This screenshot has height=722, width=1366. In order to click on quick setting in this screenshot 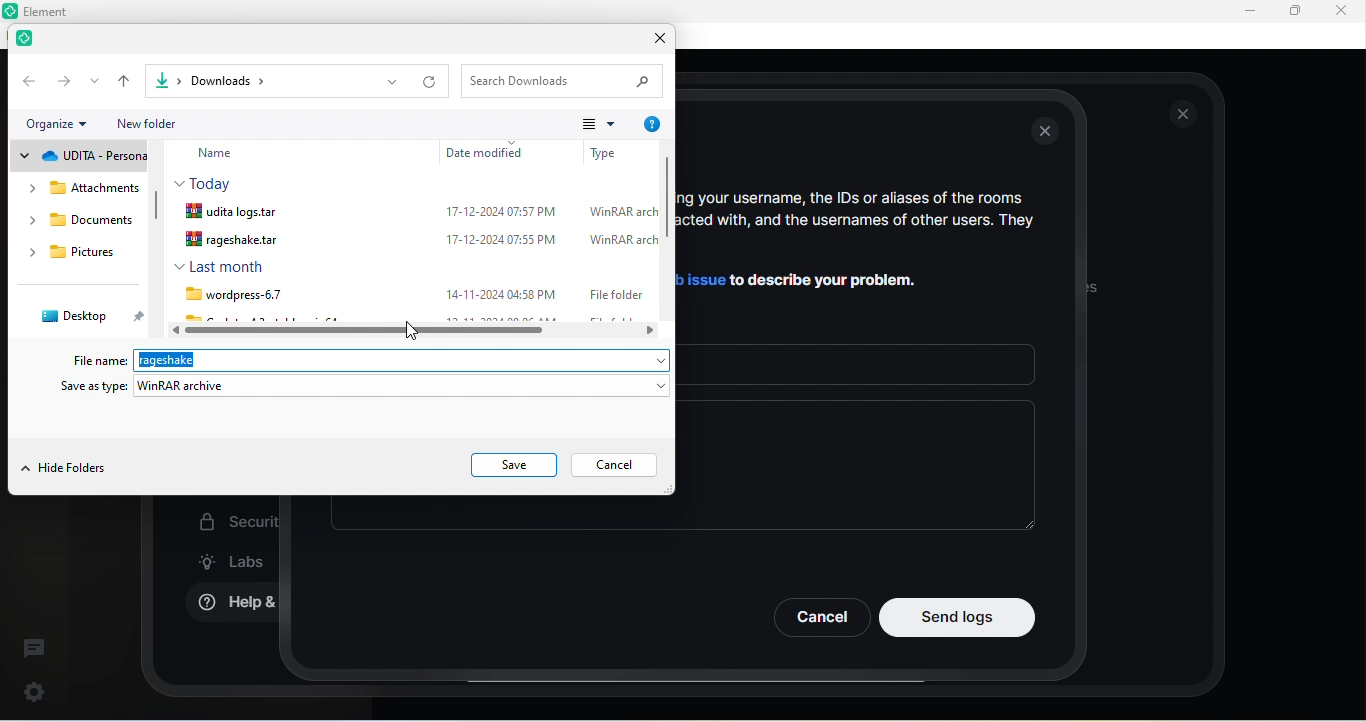, I will do `click(35, 688)`.